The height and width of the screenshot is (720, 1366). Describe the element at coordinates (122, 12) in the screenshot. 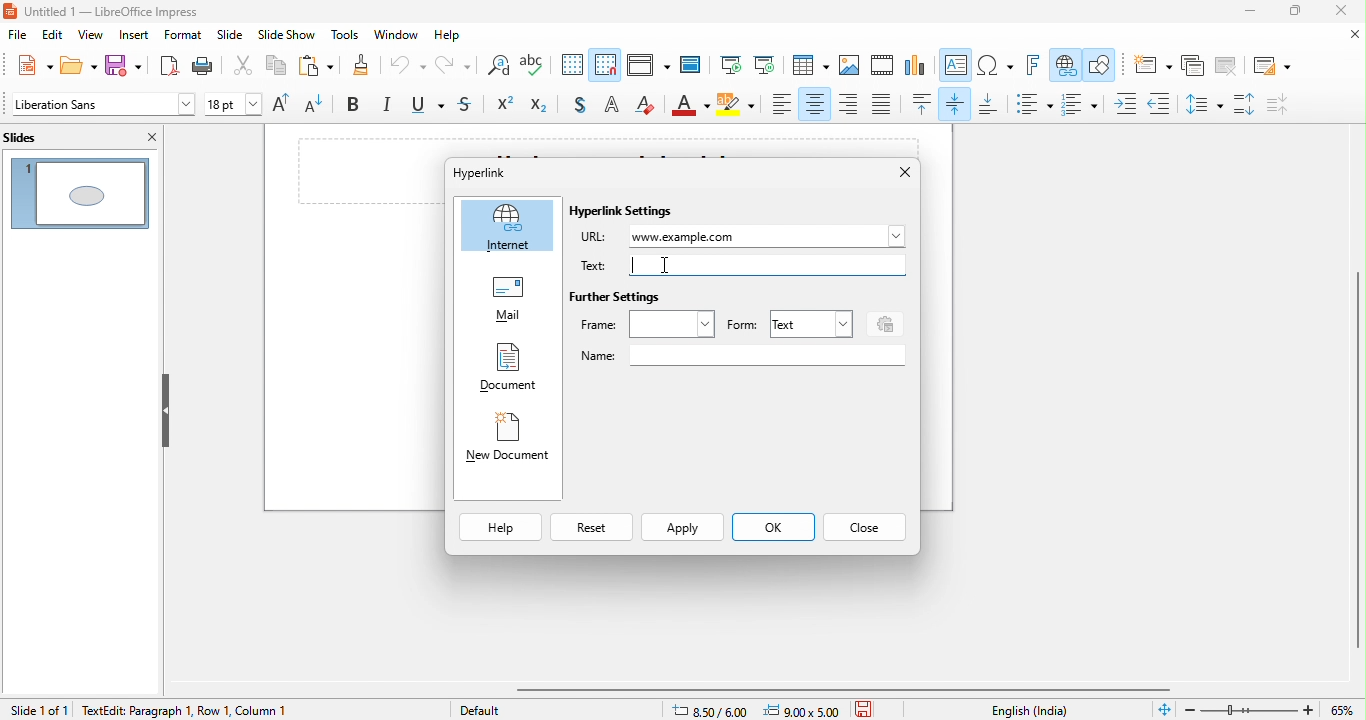

I see `untitled 1- libreoffice impress` at that location.